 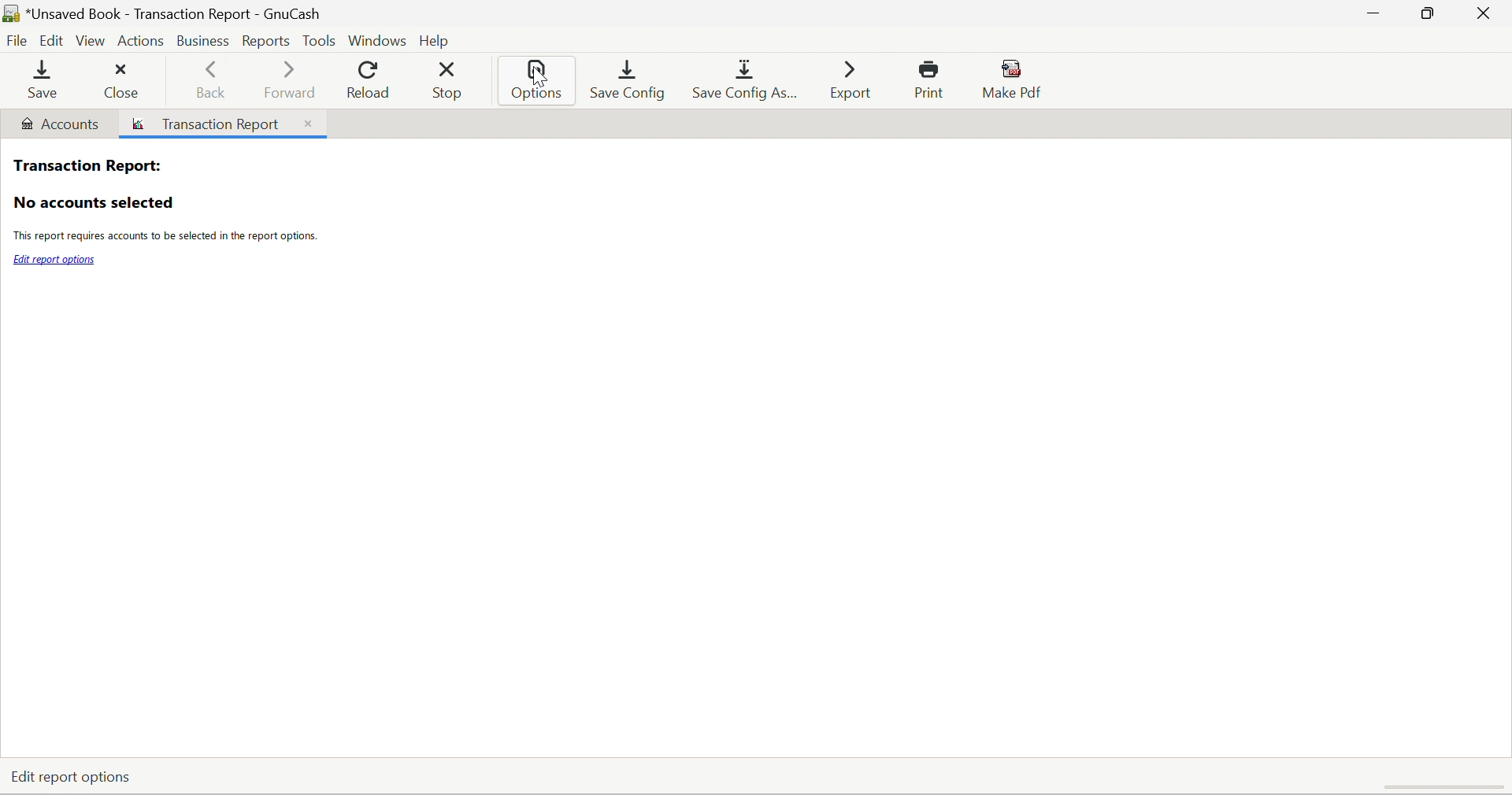 I want to click on Transaction Report:, so click(x=86, y=164).